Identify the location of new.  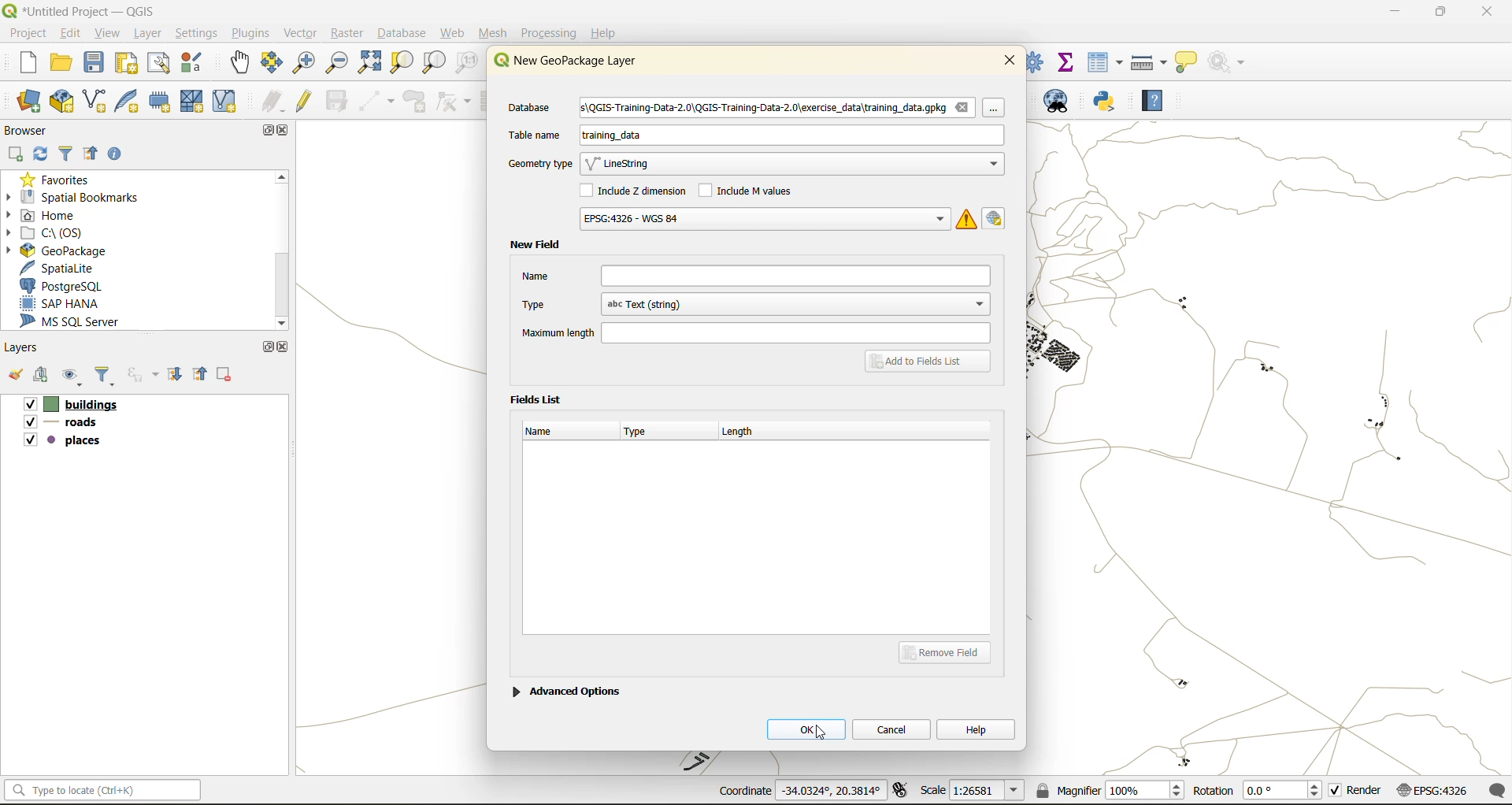
(20, 65).